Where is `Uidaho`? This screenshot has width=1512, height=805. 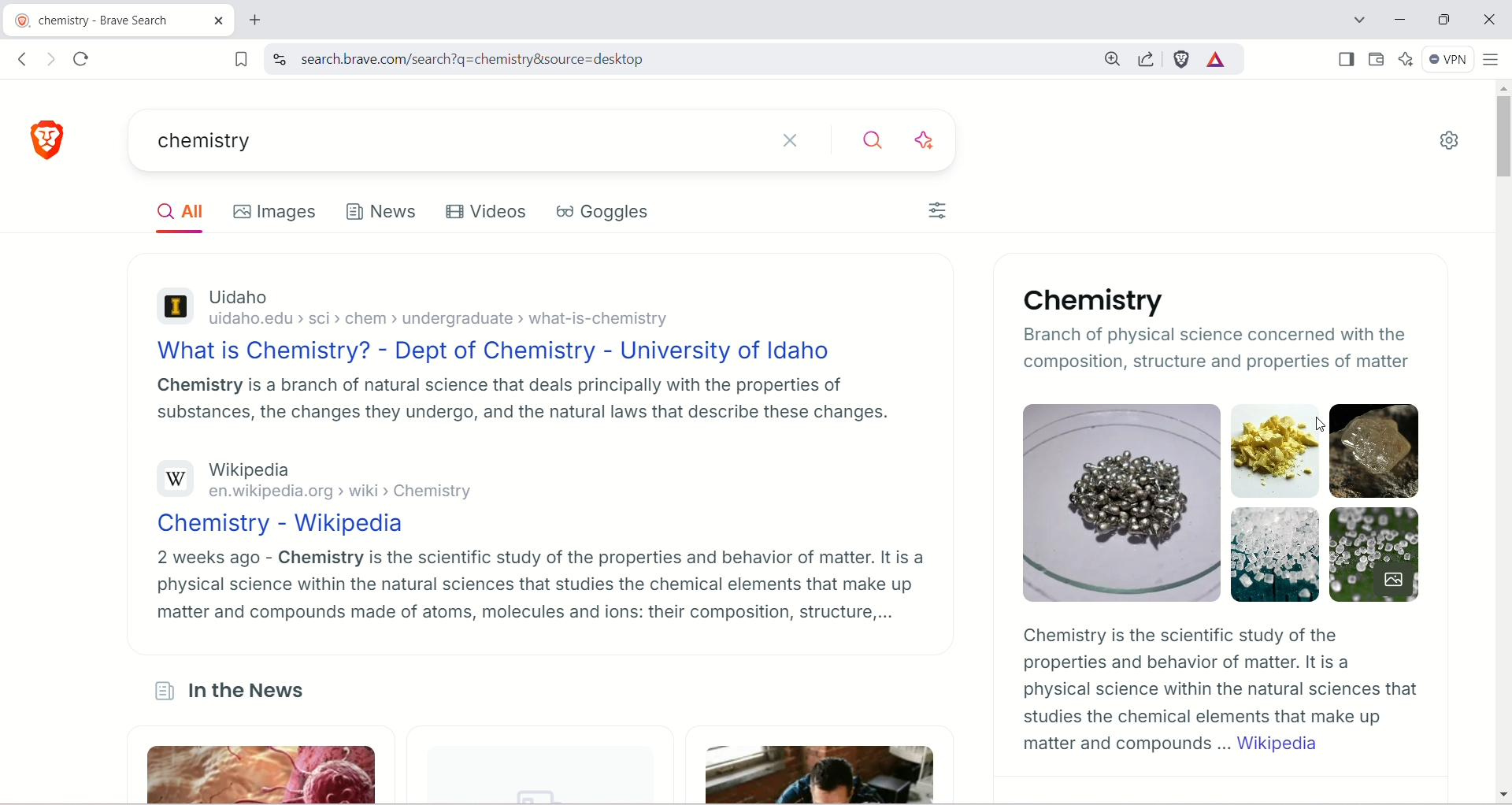 Uidaho is located at coordinates (240, 295).